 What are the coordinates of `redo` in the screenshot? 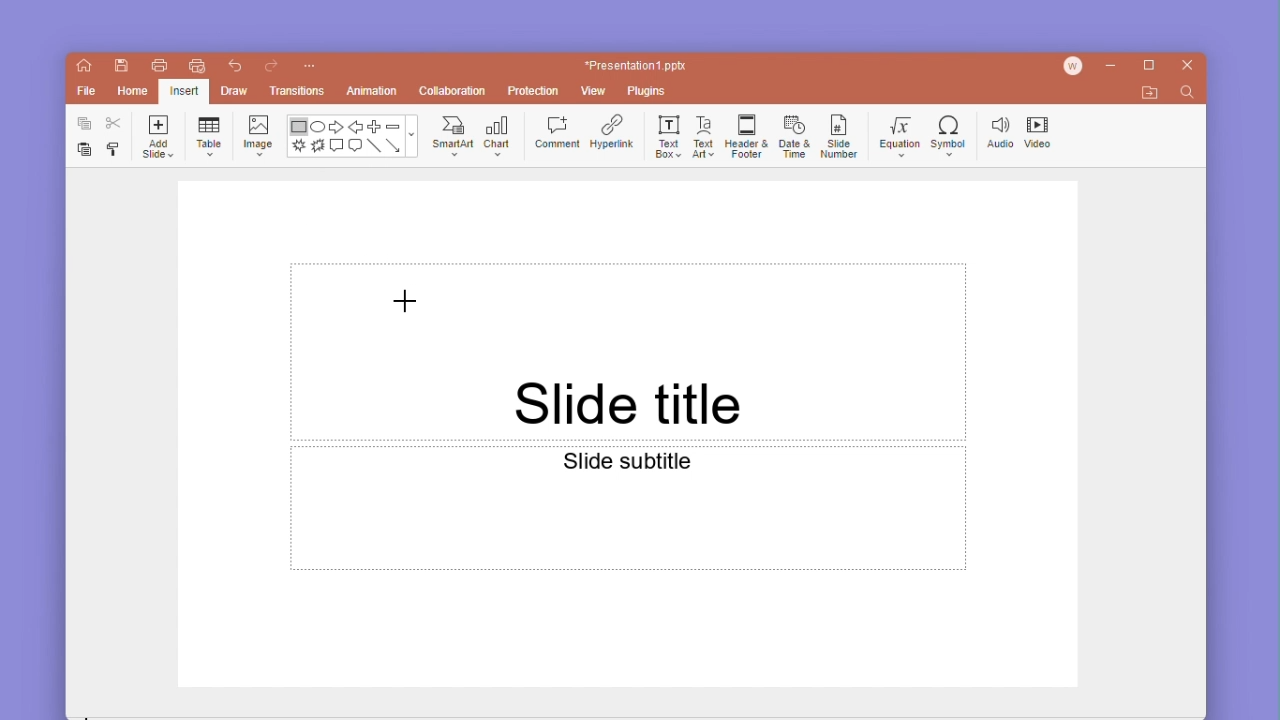 It's located at (272, 65).